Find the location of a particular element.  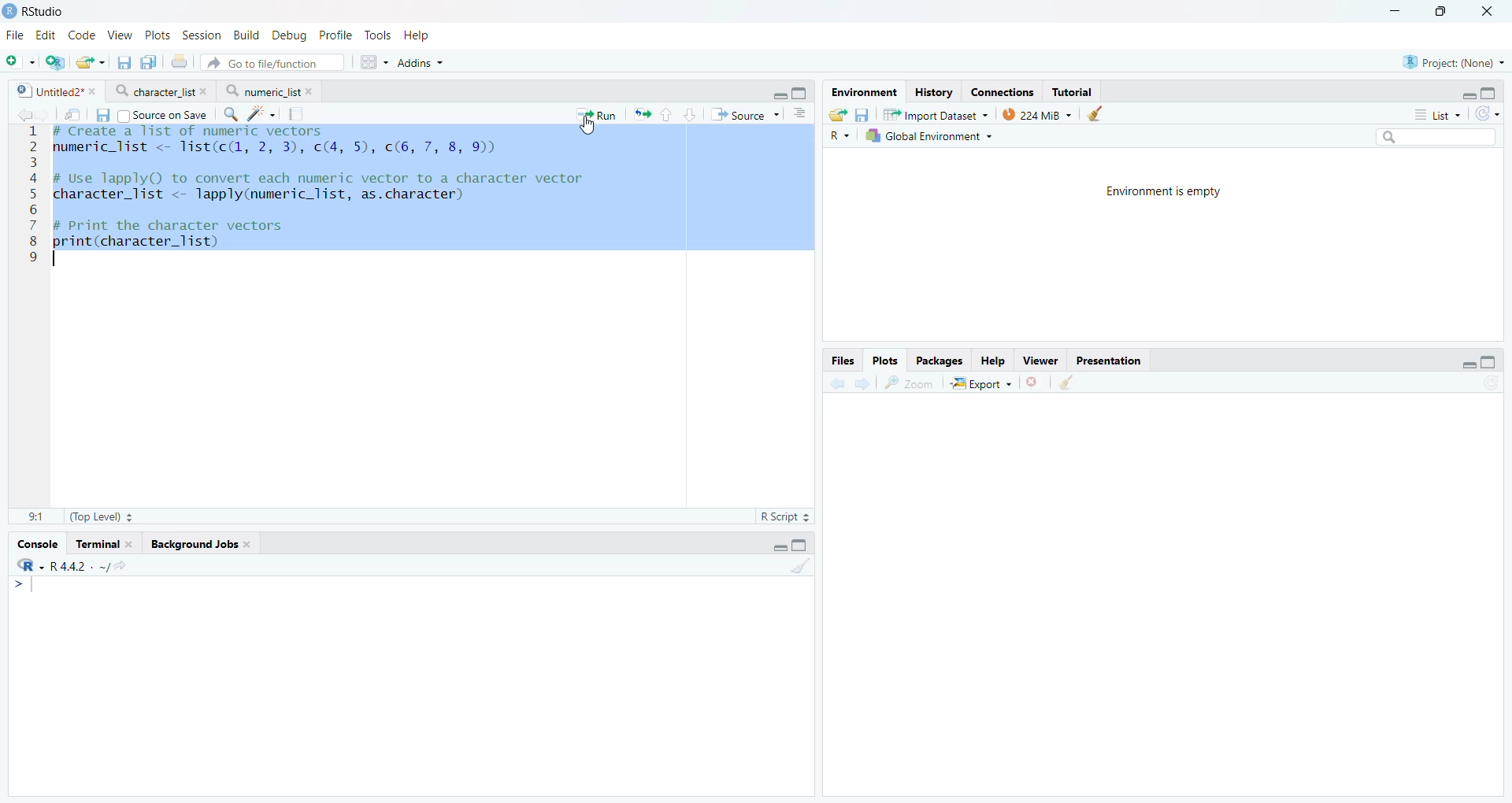

Profile is located at coordinates (335, 35).